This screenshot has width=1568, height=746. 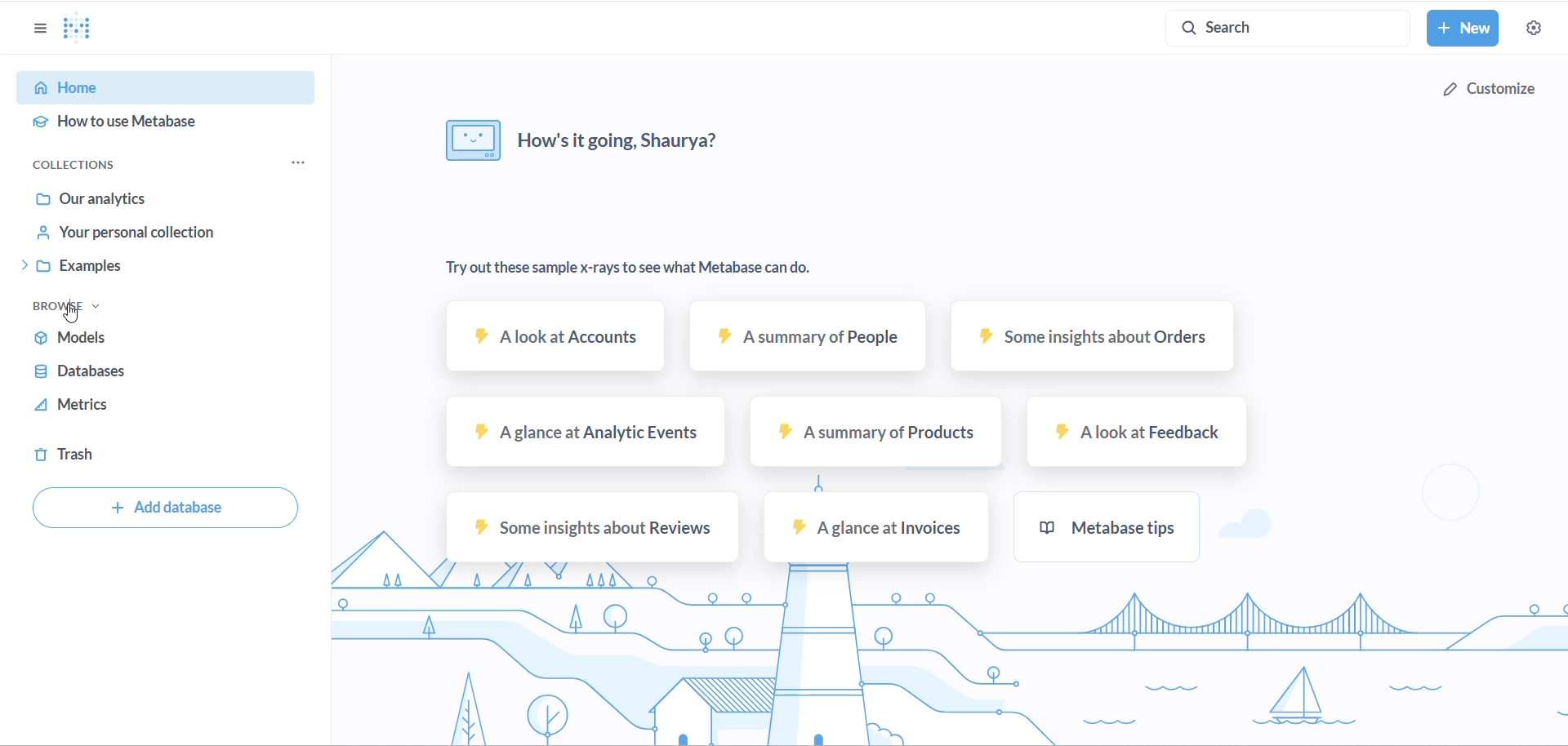 I want to click on add database, so click(x=169, y=508).